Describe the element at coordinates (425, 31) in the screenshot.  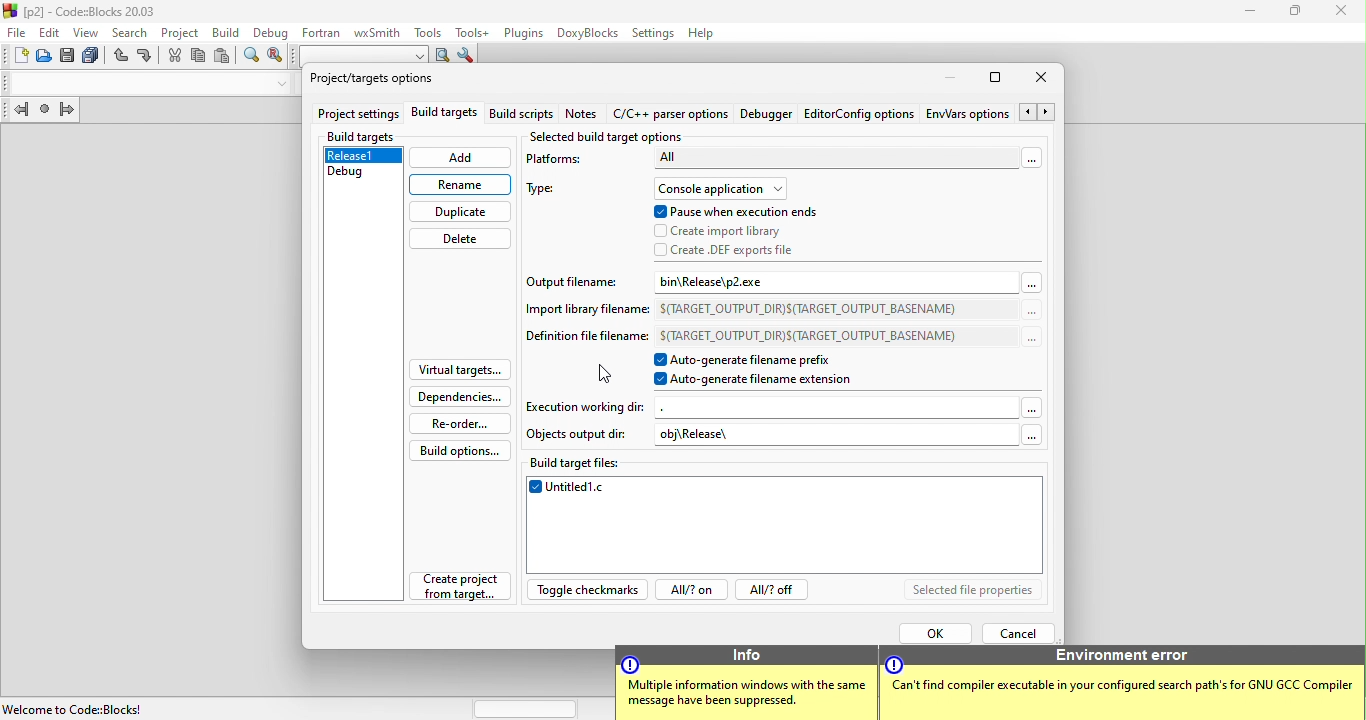
I see `tools` at that location.